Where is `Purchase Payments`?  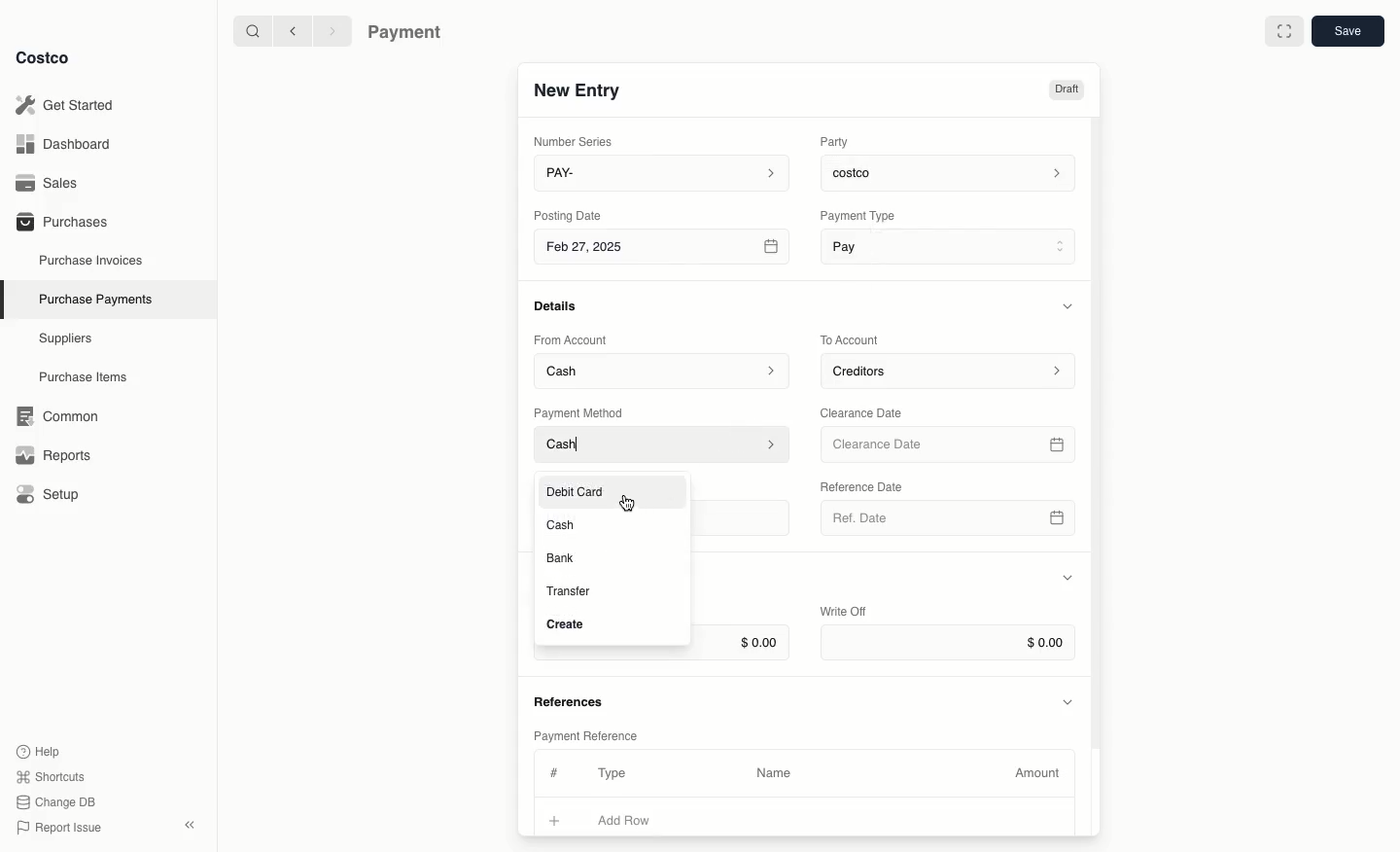
Purchase Payments is located at coordinates (94, 298).